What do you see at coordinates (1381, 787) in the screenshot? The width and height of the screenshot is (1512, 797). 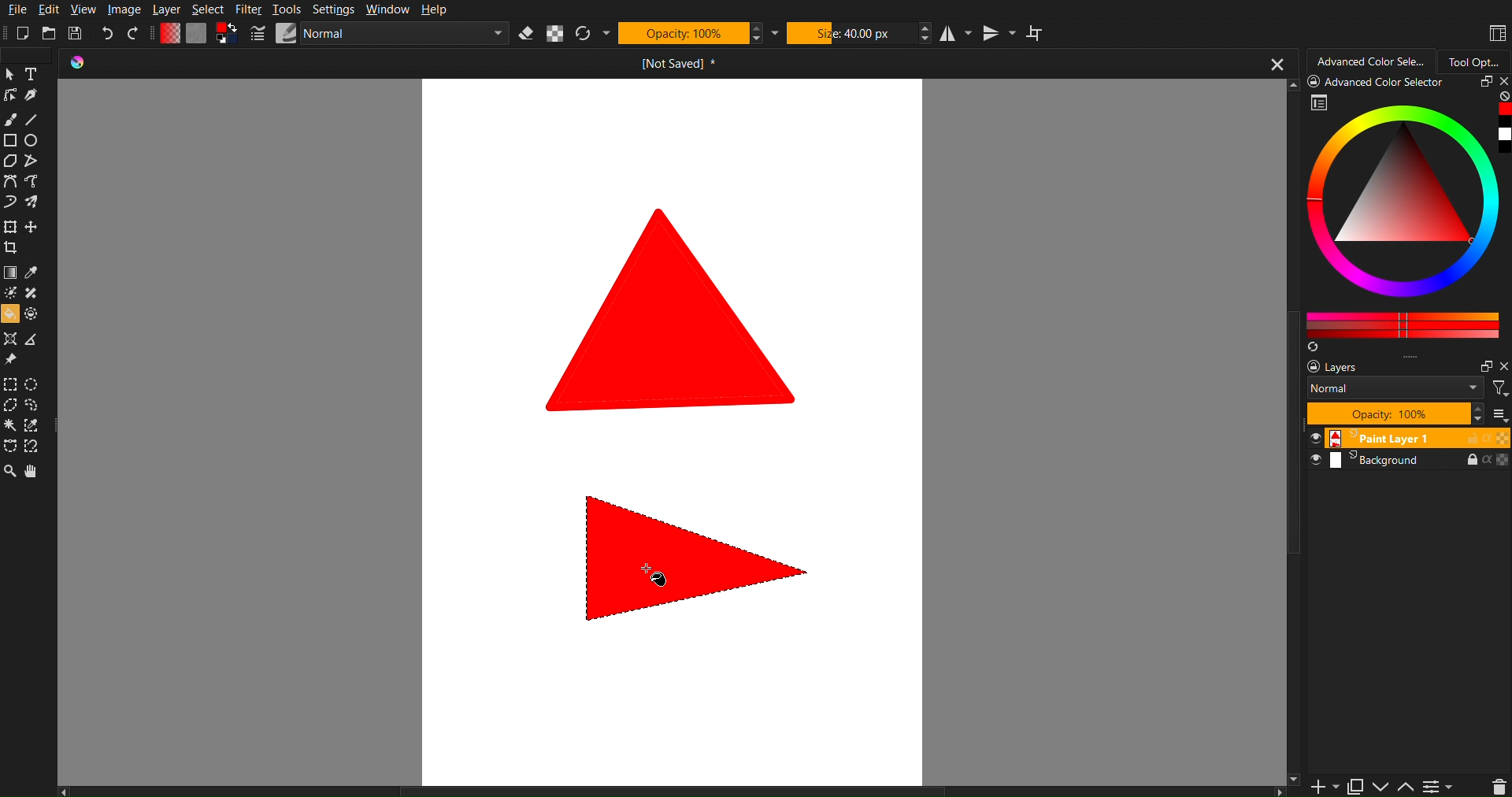 I see `Down` at bounding box center [1381, 787].